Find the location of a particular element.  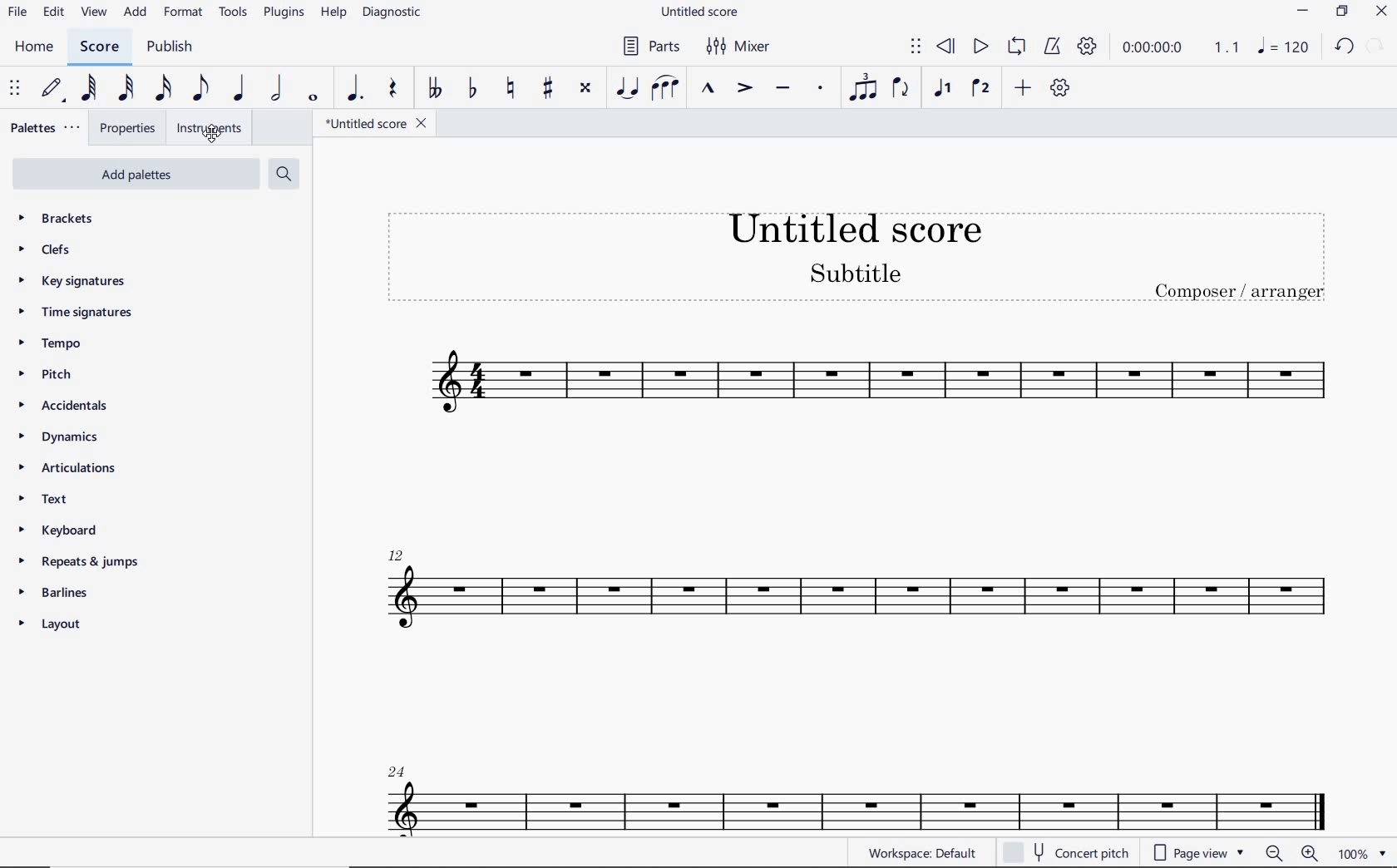

keyboard is located at coordinates (57, 528).